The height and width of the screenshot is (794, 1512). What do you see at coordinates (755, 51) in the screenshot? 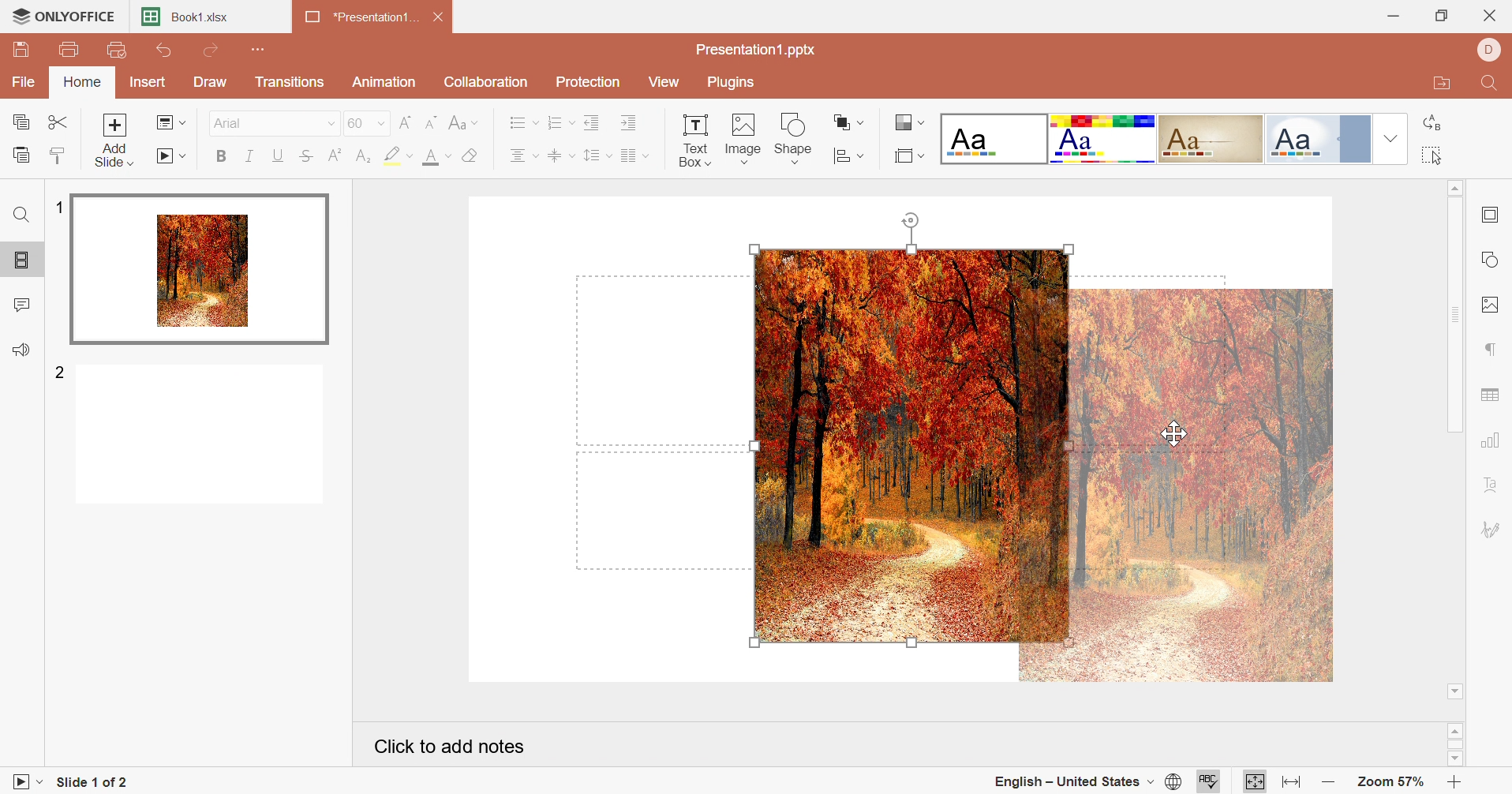
I see `Presentation1.pptx` at bounding box center [755, 51].